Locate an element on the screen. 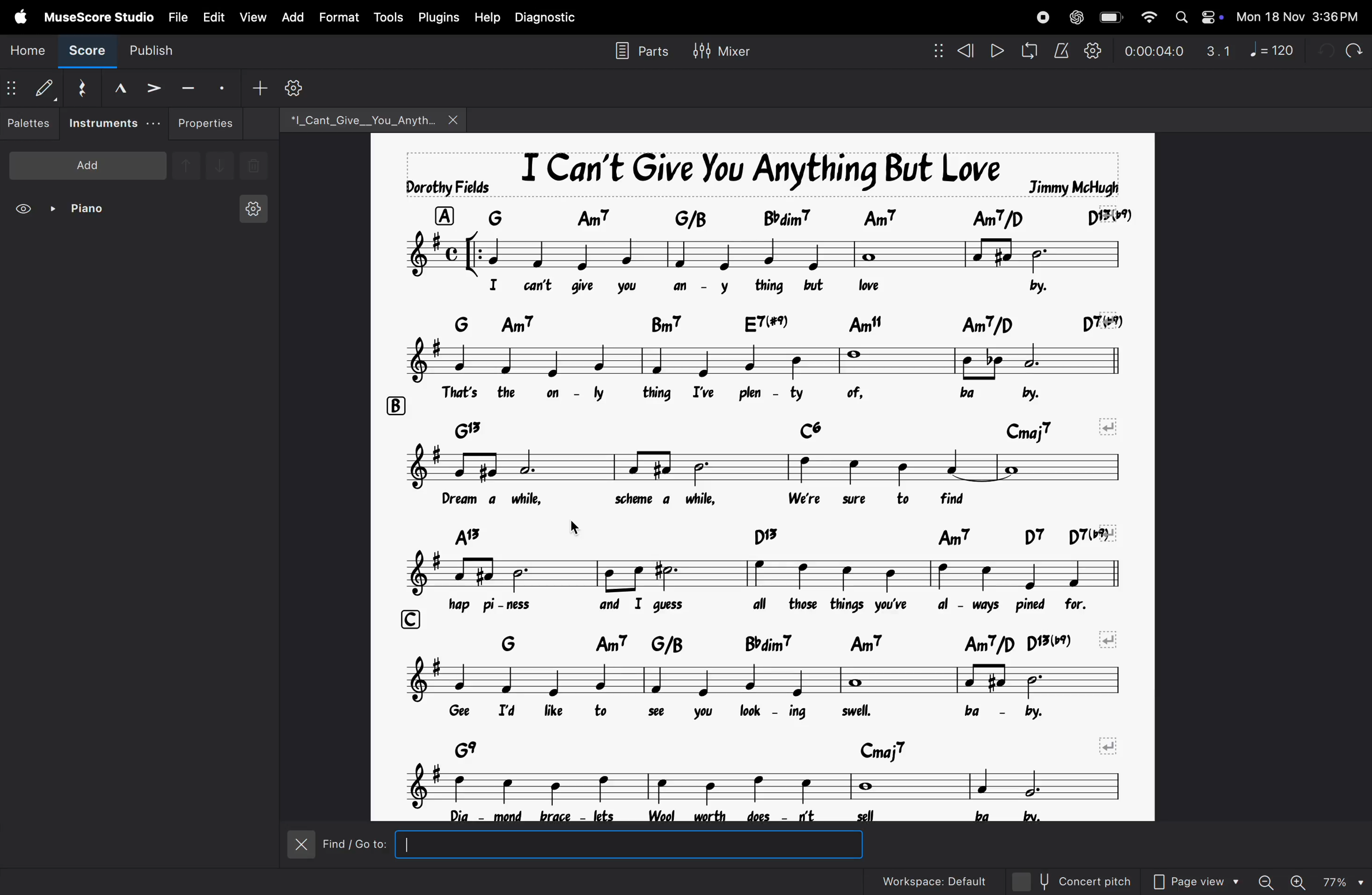 The width and height of the screenshot is (1372, 895). stacato is located at coordinates (221, 88).